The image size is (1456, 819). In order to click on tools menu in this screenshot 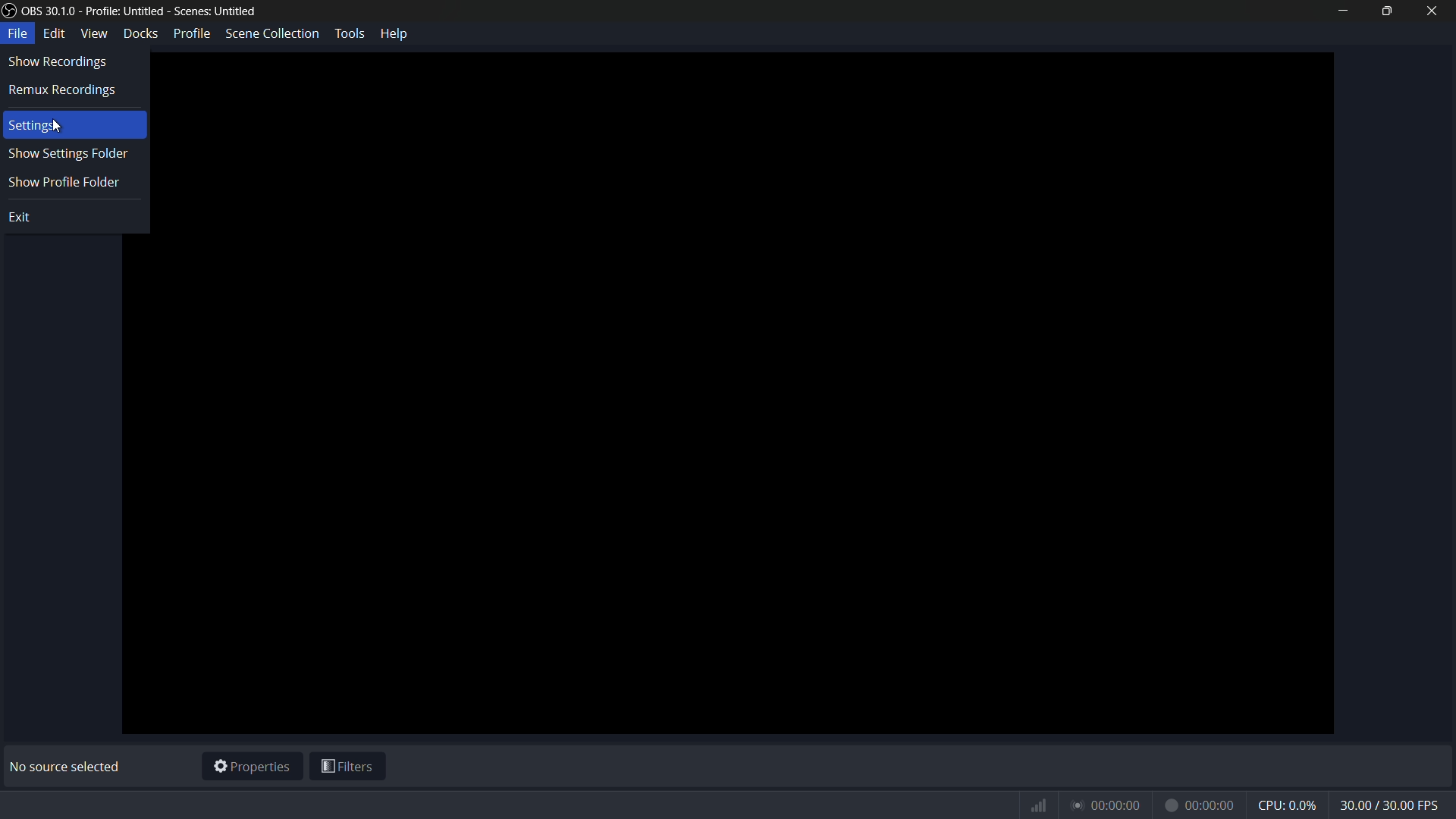, I will do `click(349, 33)`.